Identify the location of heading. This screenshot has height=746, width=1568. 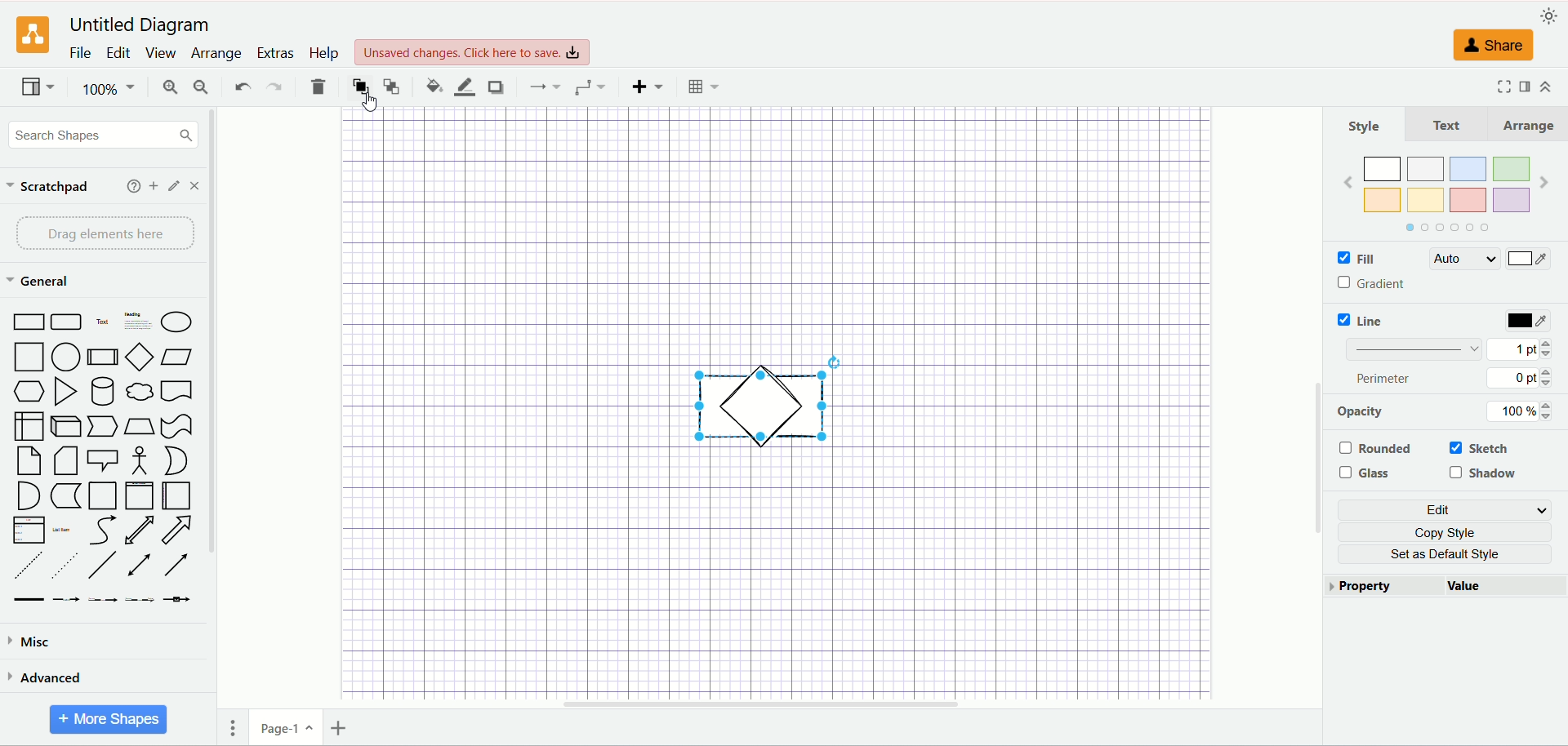
(137, 321).